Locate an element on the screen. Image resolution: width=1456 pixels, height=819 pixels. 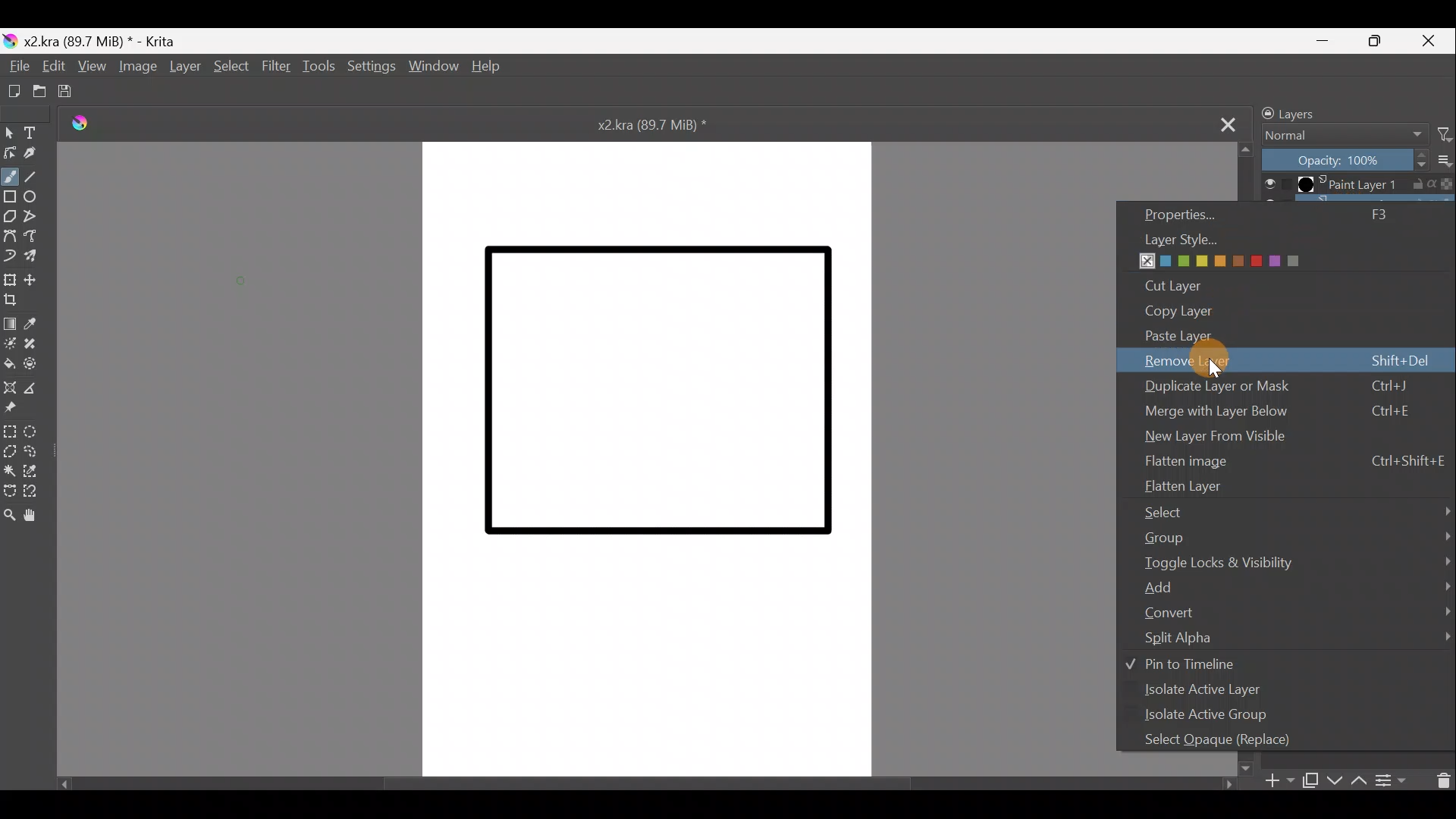
Crop image to an area is located at coordinates (18, 301).